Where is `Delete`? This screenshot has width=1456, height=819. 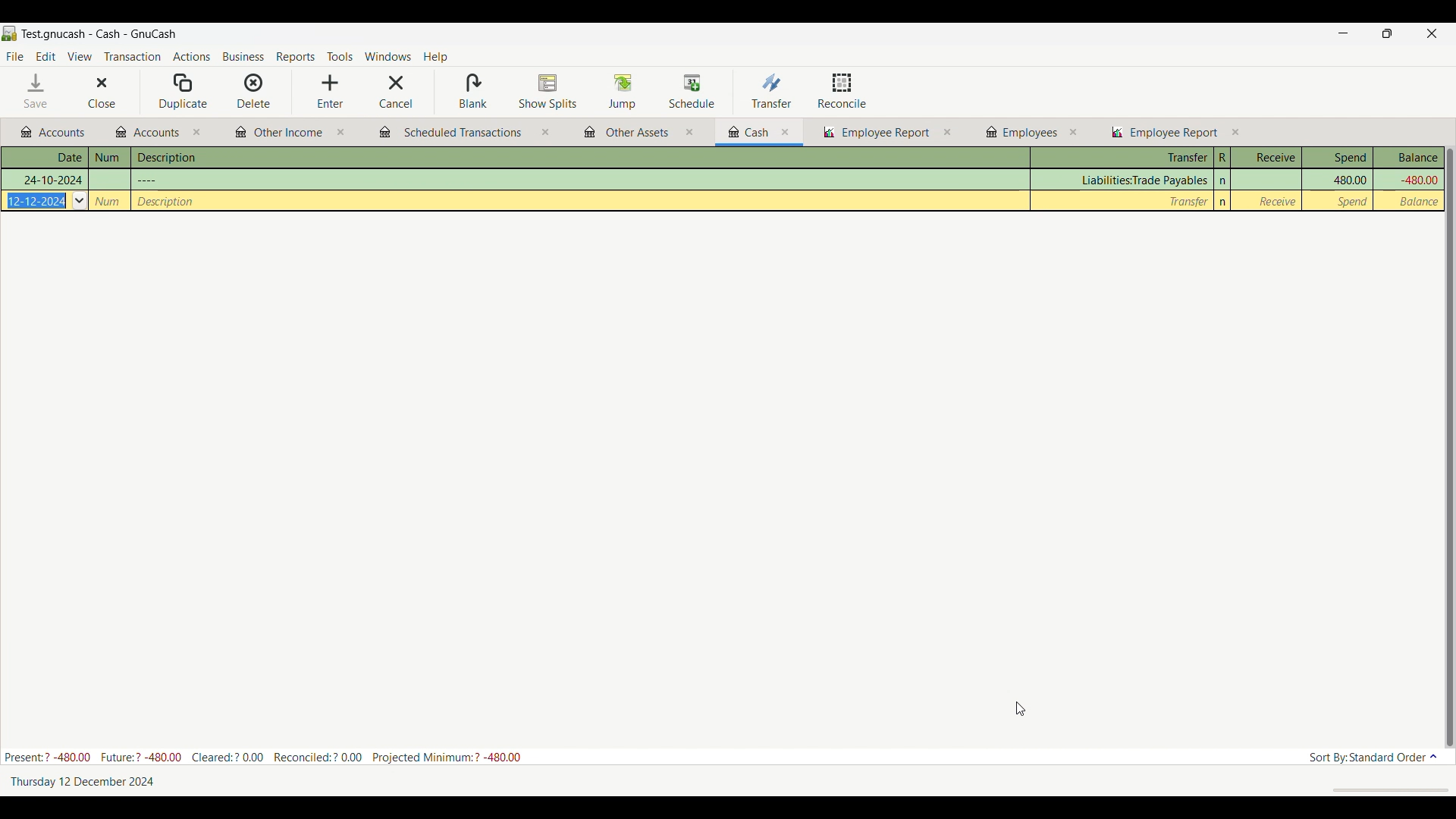 Delete is located at coordinates (255, 91).